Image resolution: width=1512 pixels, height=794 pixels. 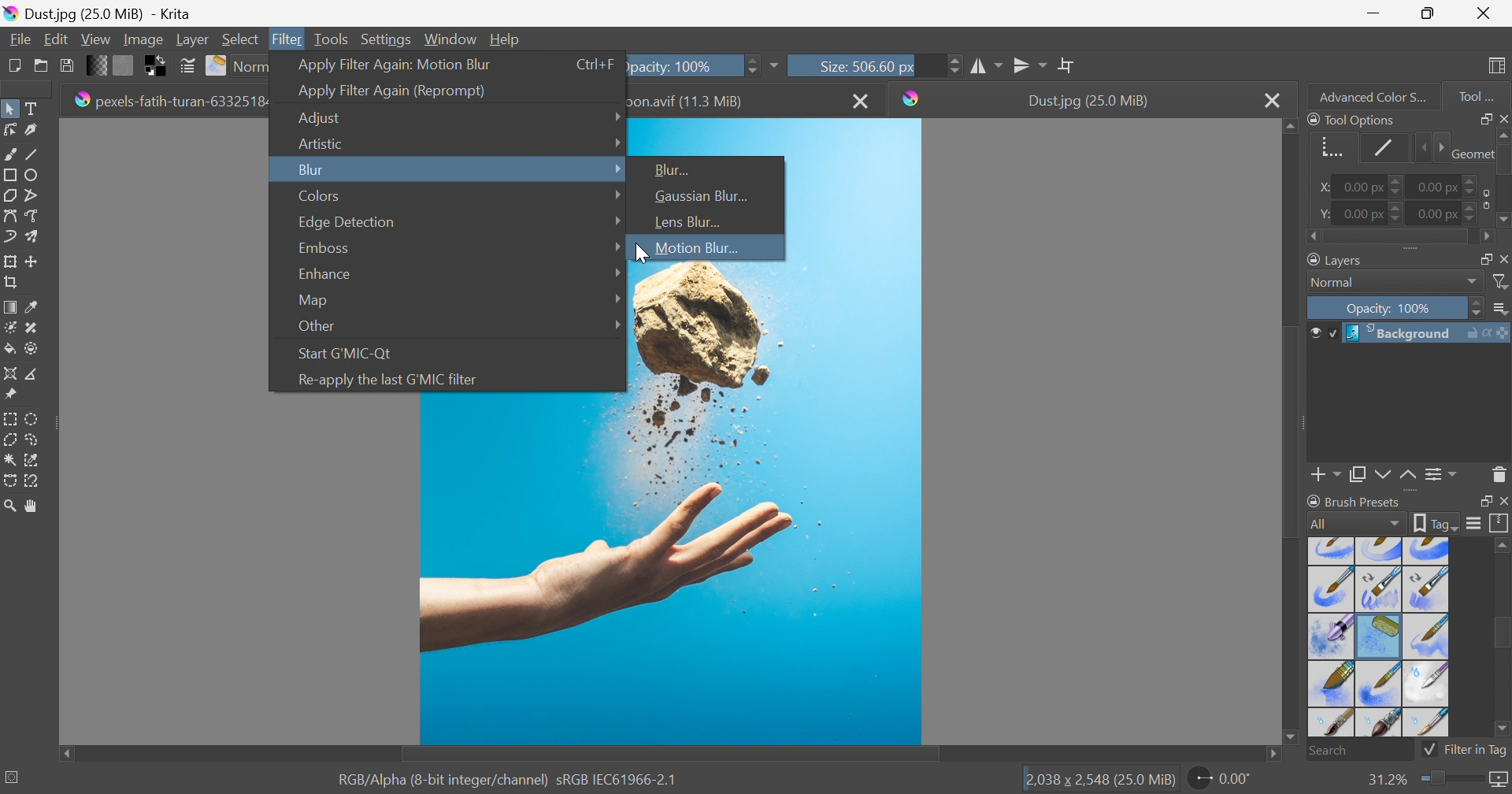 I want to click on View, so click(x=95, y=37).